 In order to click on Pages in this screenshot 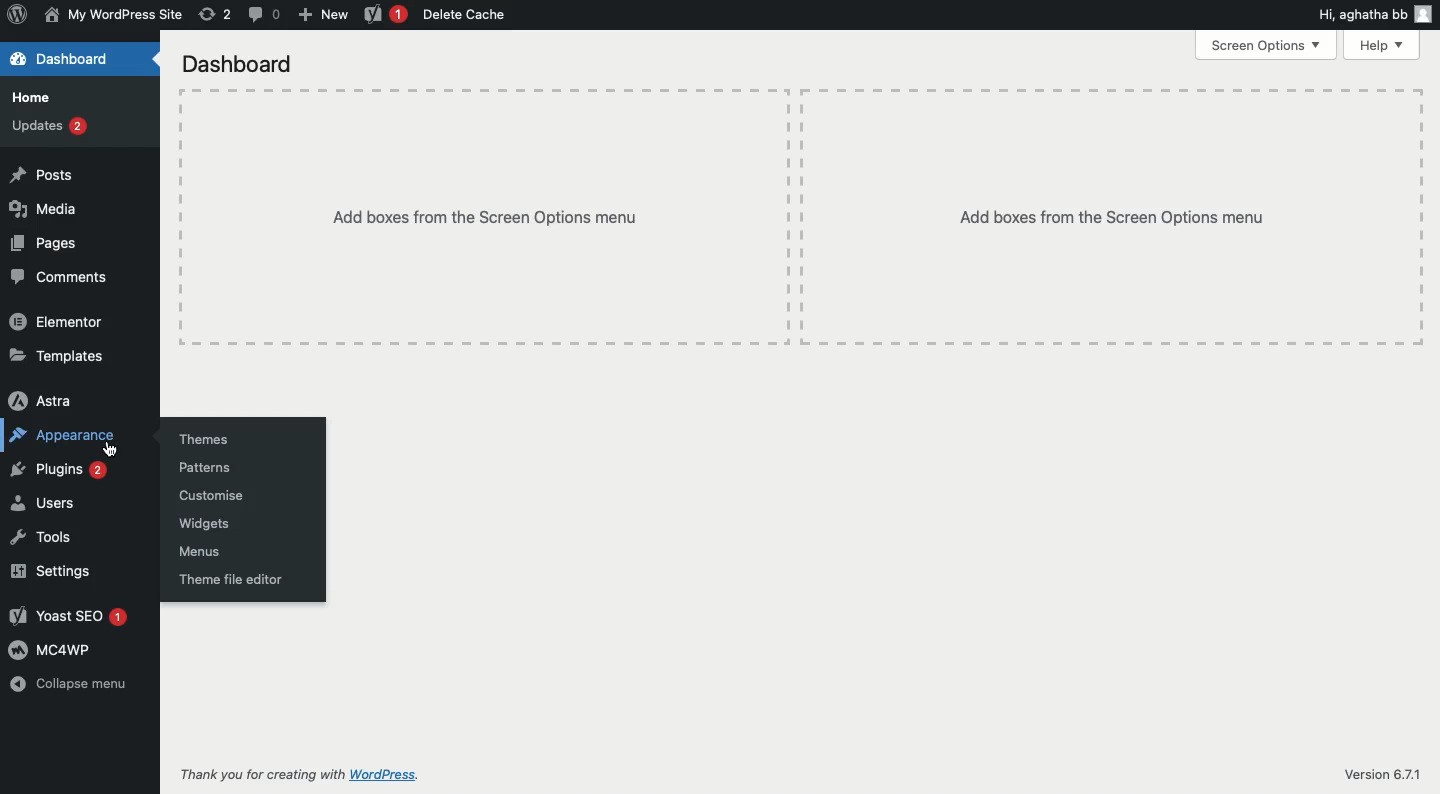, I will do `click(45, 244)`.